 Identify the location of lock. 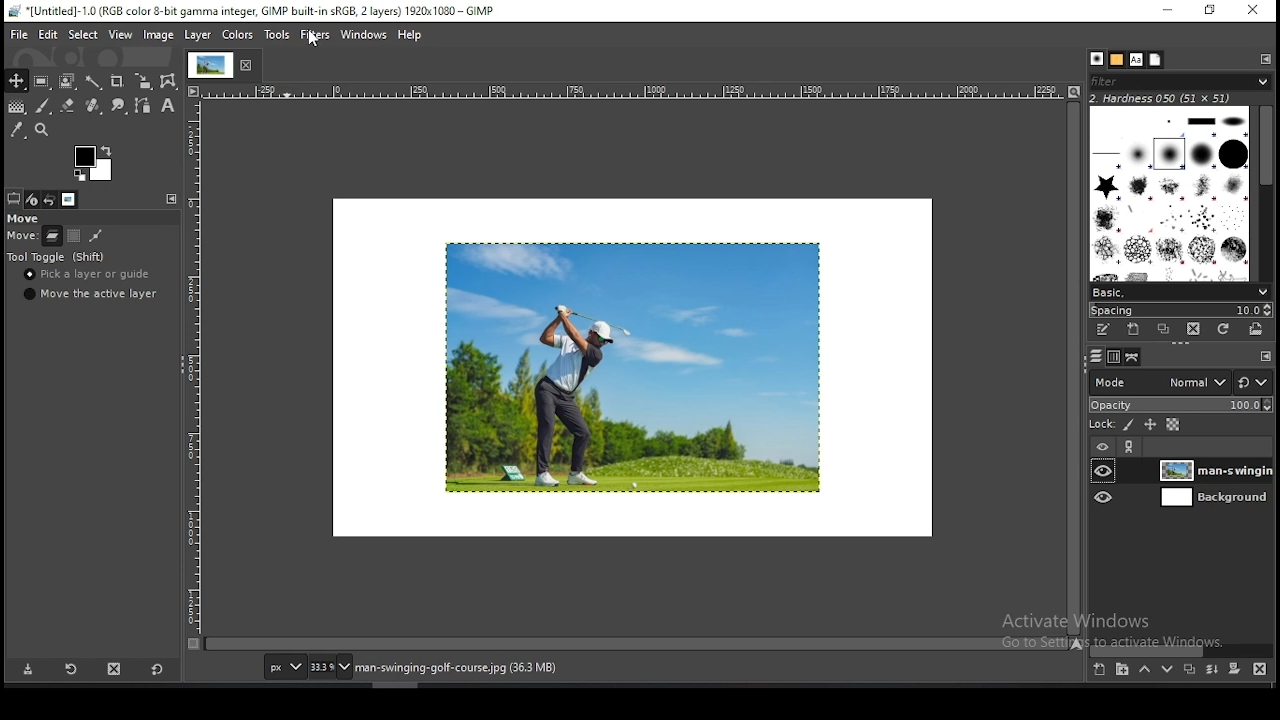
(1103, 424).